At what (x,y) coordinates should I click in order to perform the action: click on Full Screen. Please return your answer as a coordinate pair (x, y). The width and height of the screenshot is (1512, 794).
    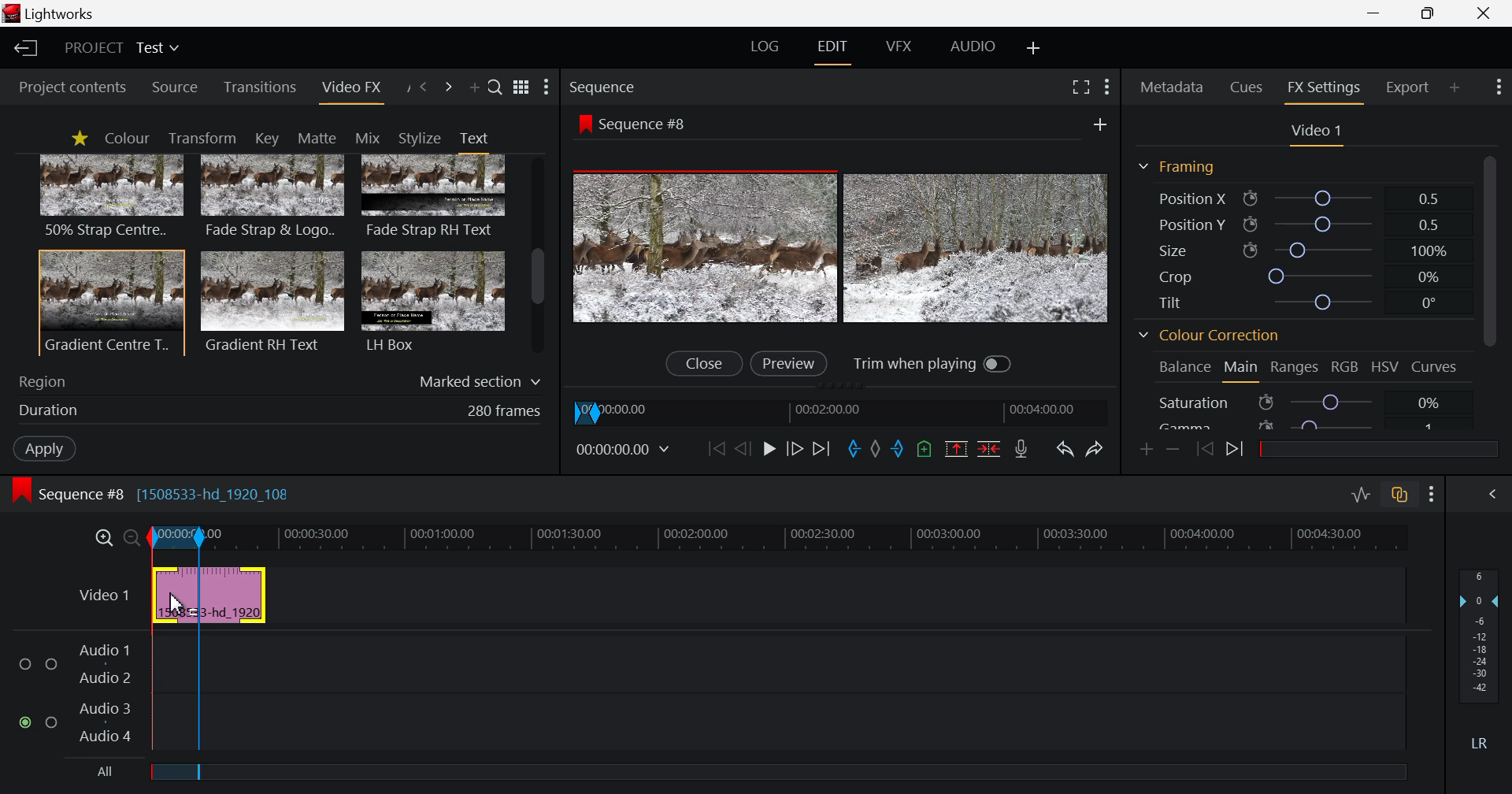
    Looking at the image, I should click on (1082, 87).